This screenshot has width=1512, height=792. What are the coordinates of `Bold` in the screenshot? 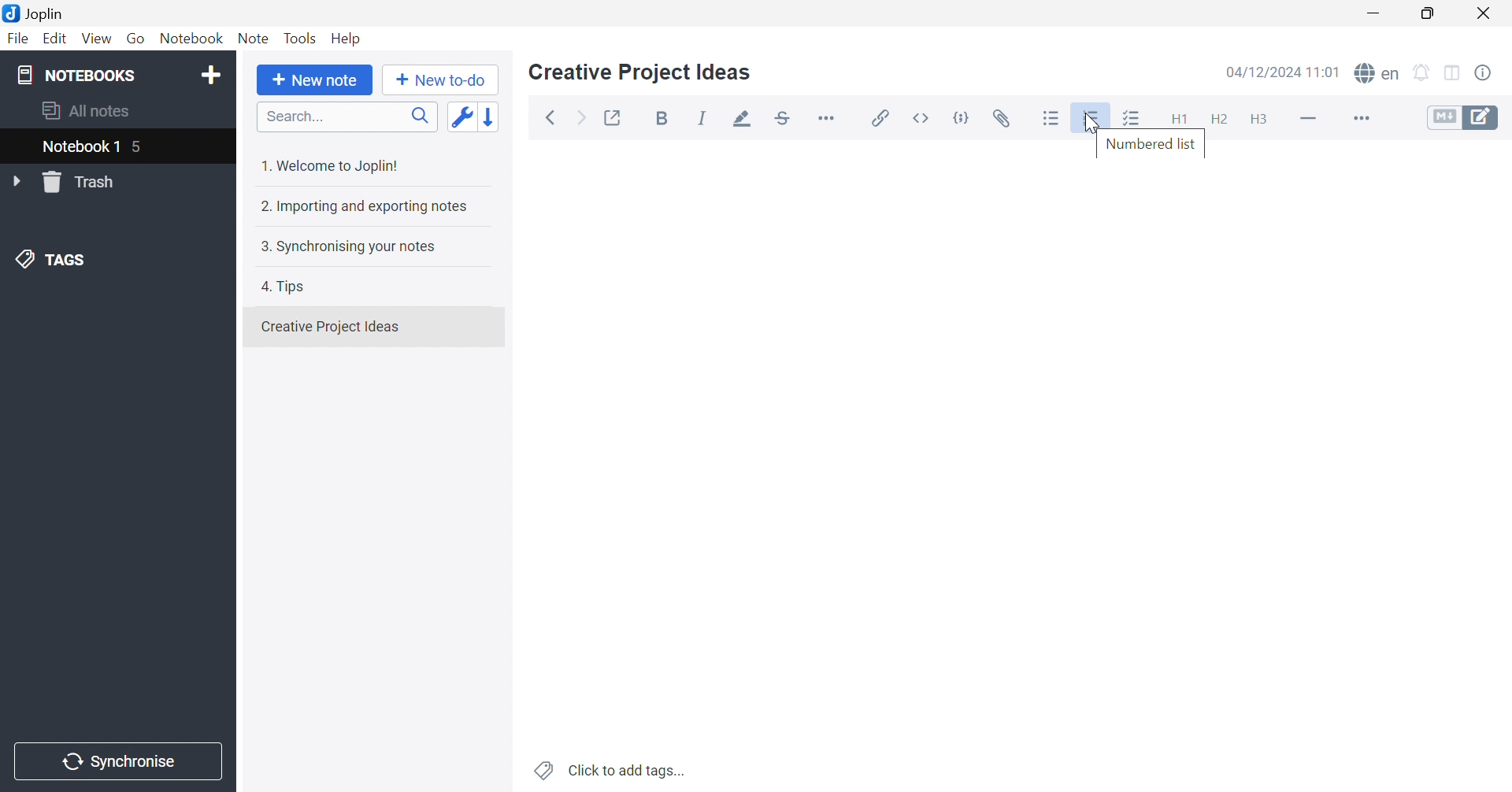 It's located at (665, 120).